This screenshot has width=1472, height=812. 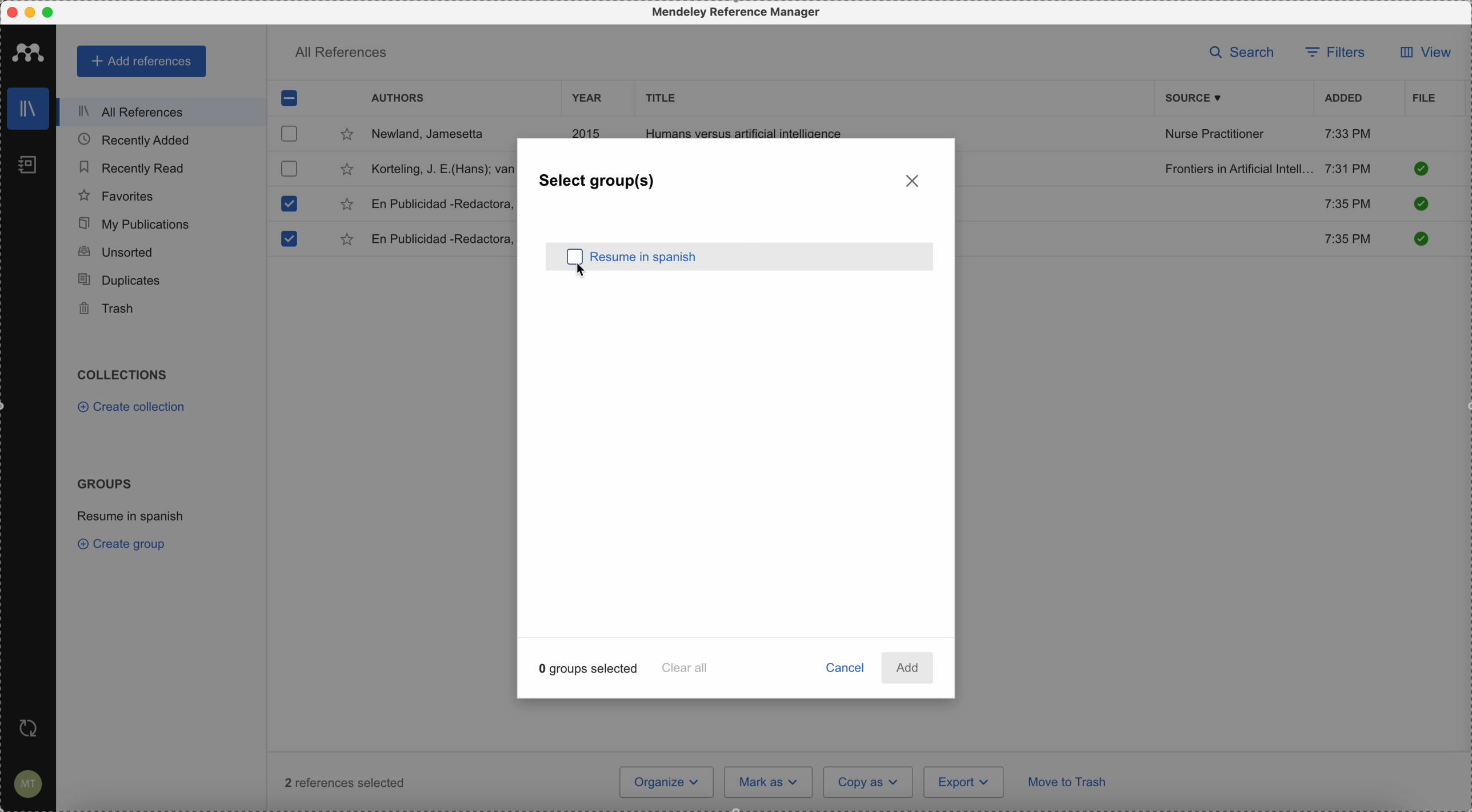 What do you see at coordinates (347, 137) in the screenshot?
I see `favorite` at bounding box center [347, 137].